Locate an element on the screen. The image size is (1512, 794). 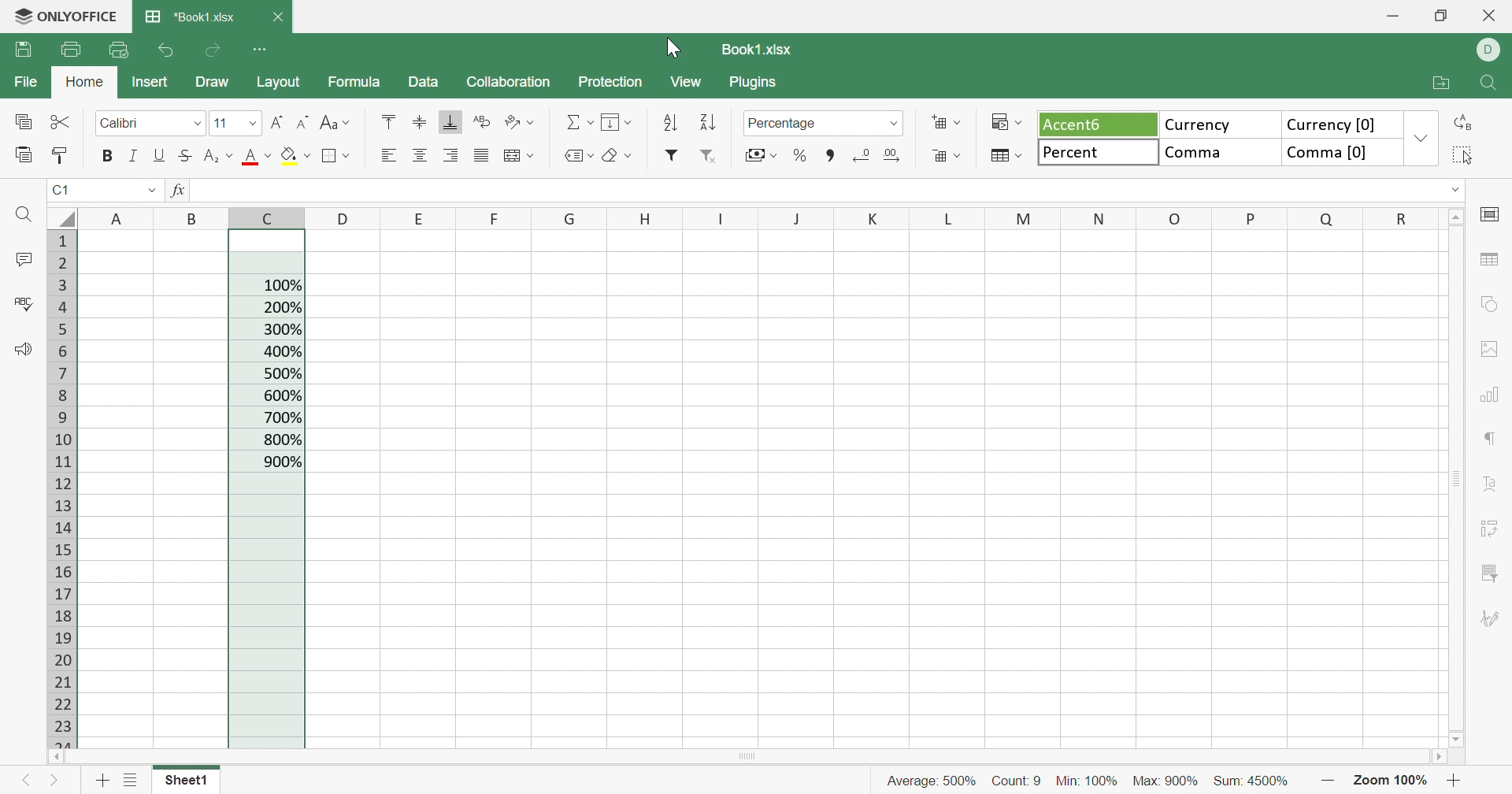
100% is located at coordinates (280, 288).